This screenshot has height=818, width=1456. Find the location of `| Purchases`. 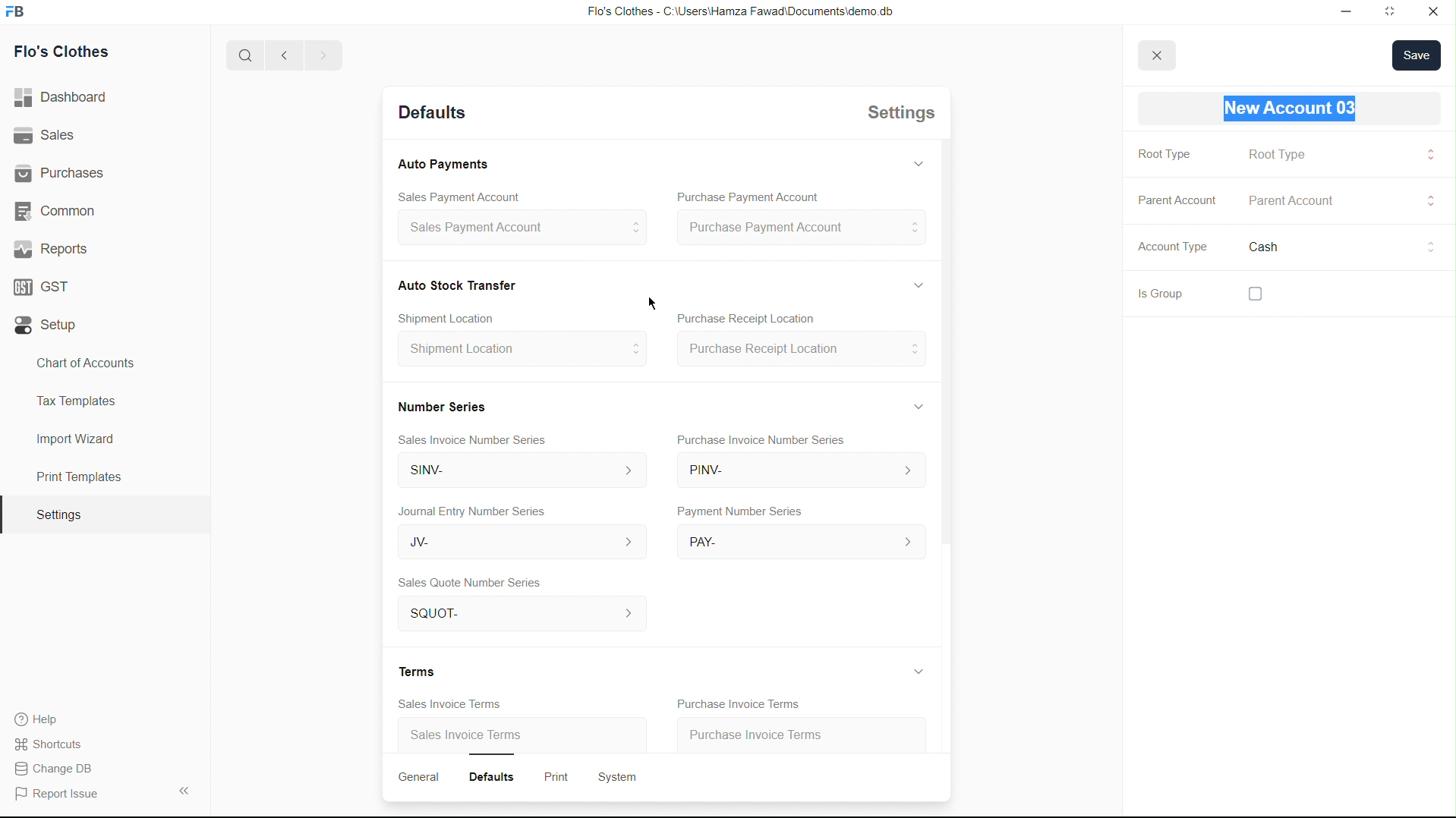

| Purchases is located at coordinates (66, 171).